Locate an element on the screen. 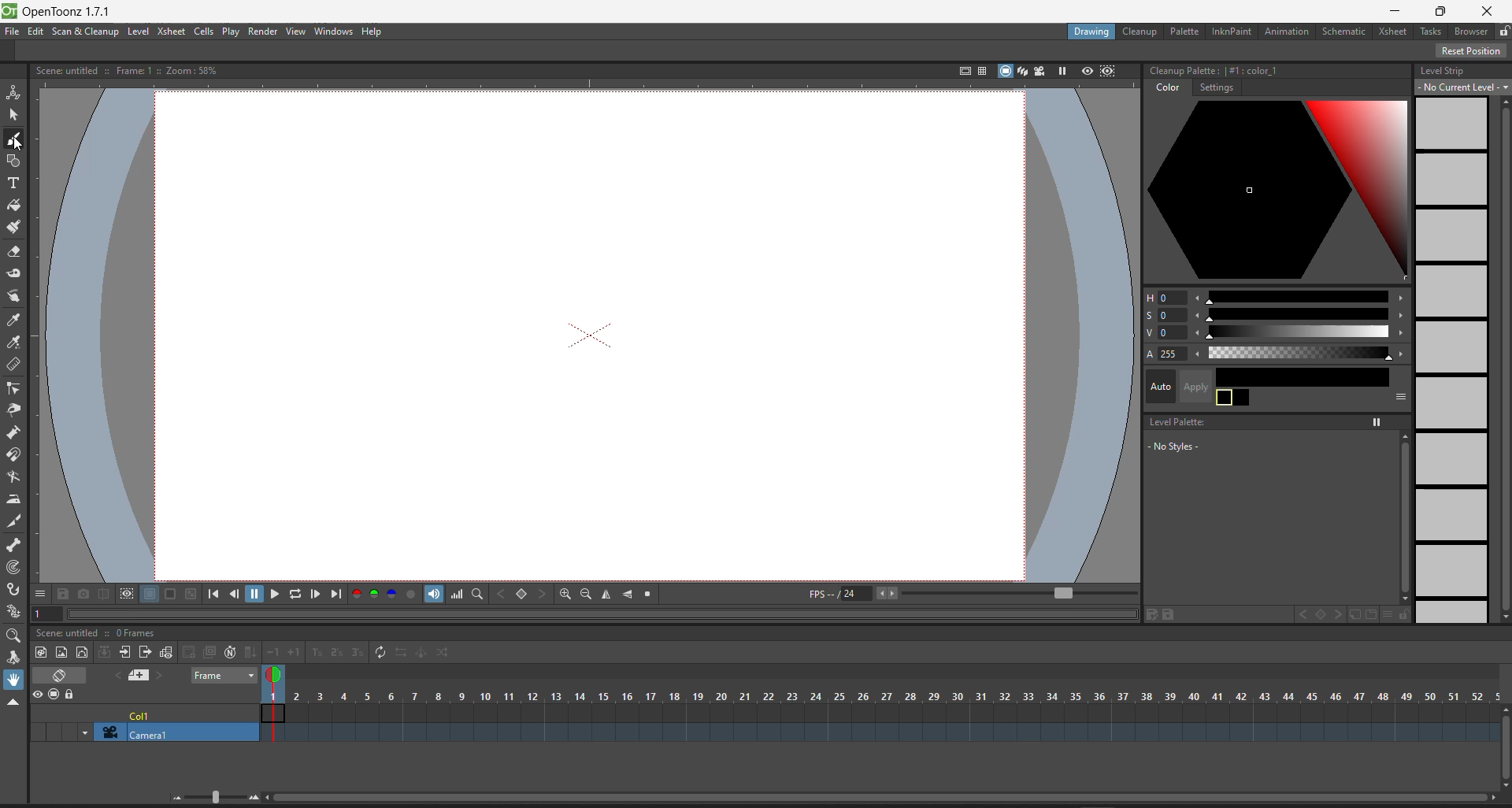  move right is located at coordinates (1400, 332).